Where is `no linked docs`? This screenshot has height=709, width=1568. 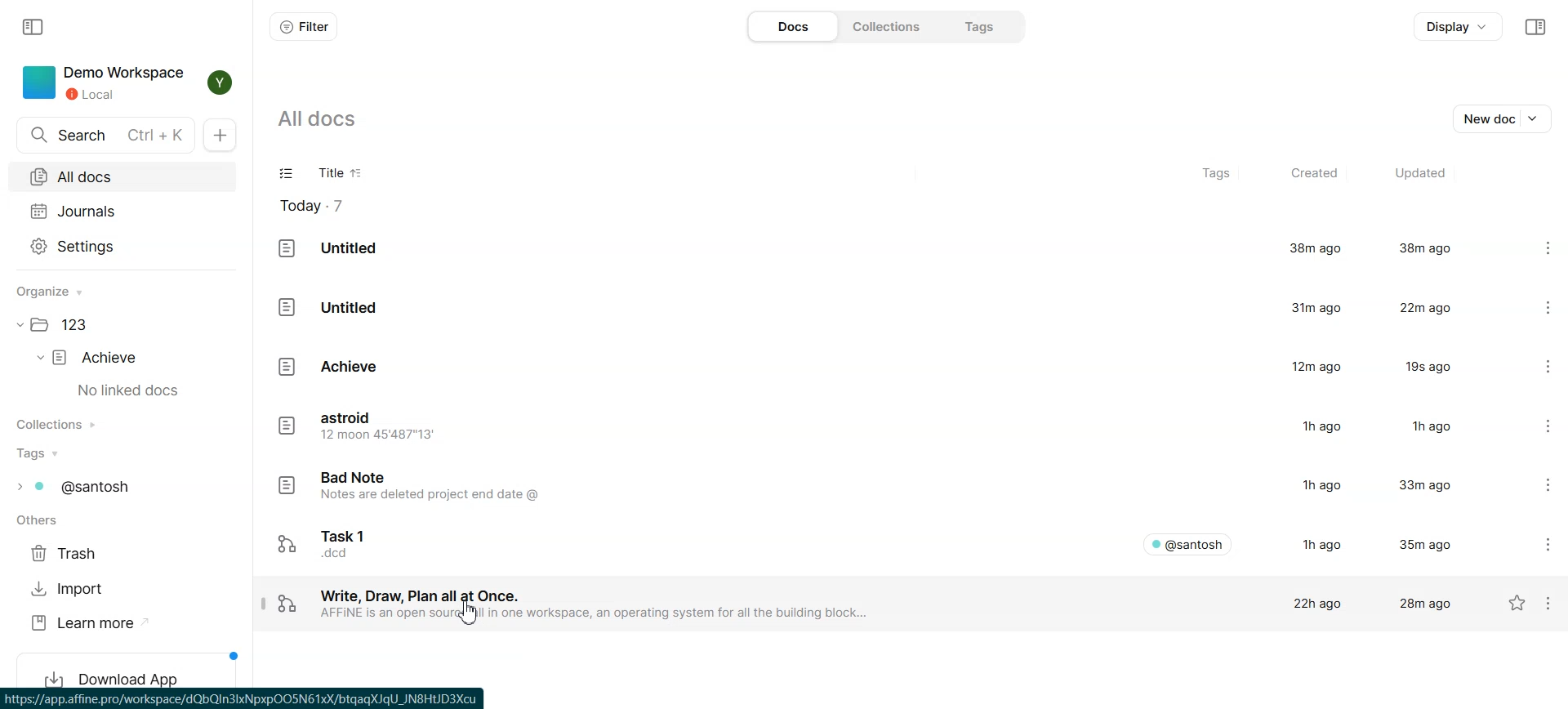
no linked docs is located at coordinates (130, 391).